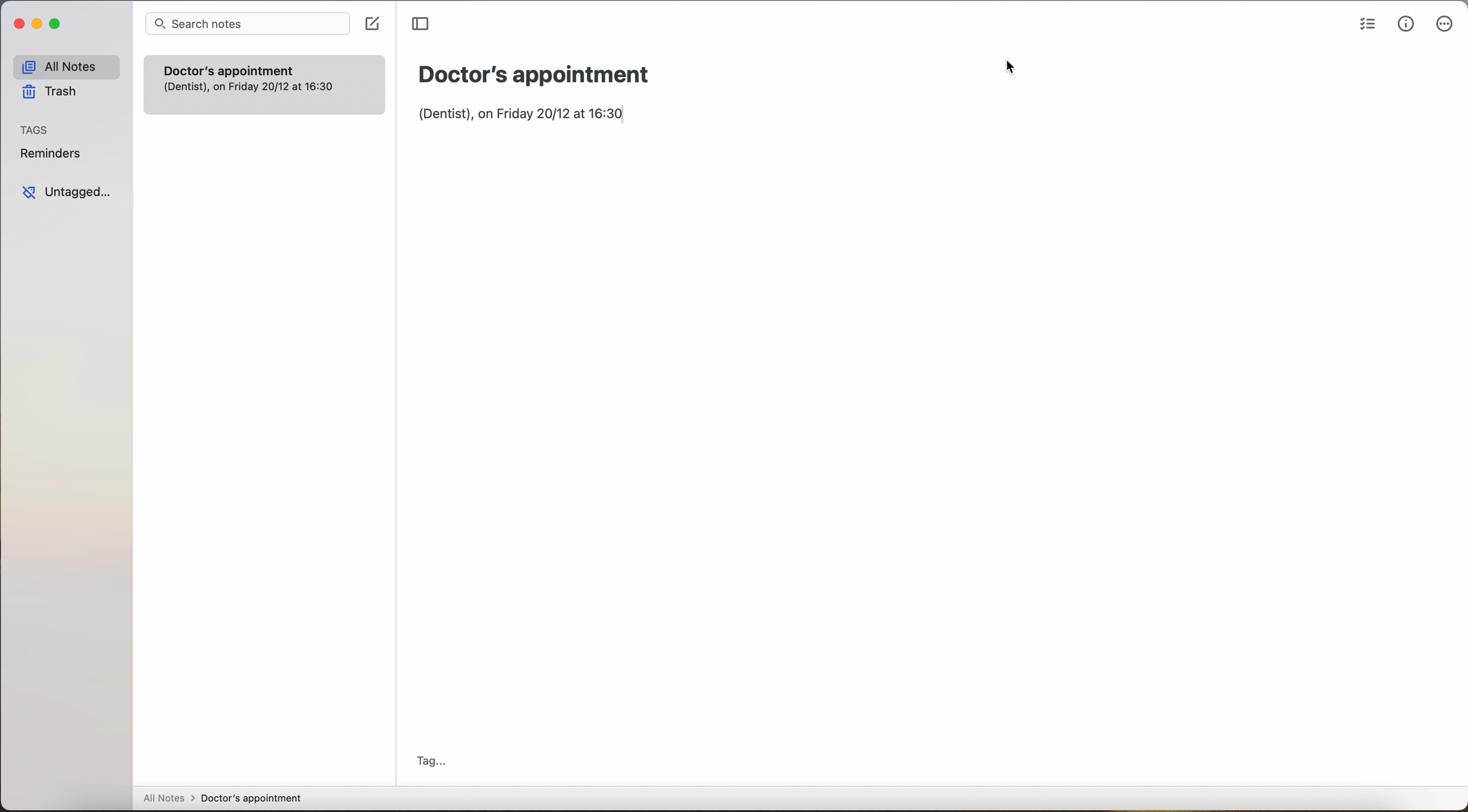 This screenshot has width=1468, height=812. What do you see at coordinates (222, 799) in the screenshot?
I see `All Notes > Doctor's appointment` at bounding box center [222, 799].